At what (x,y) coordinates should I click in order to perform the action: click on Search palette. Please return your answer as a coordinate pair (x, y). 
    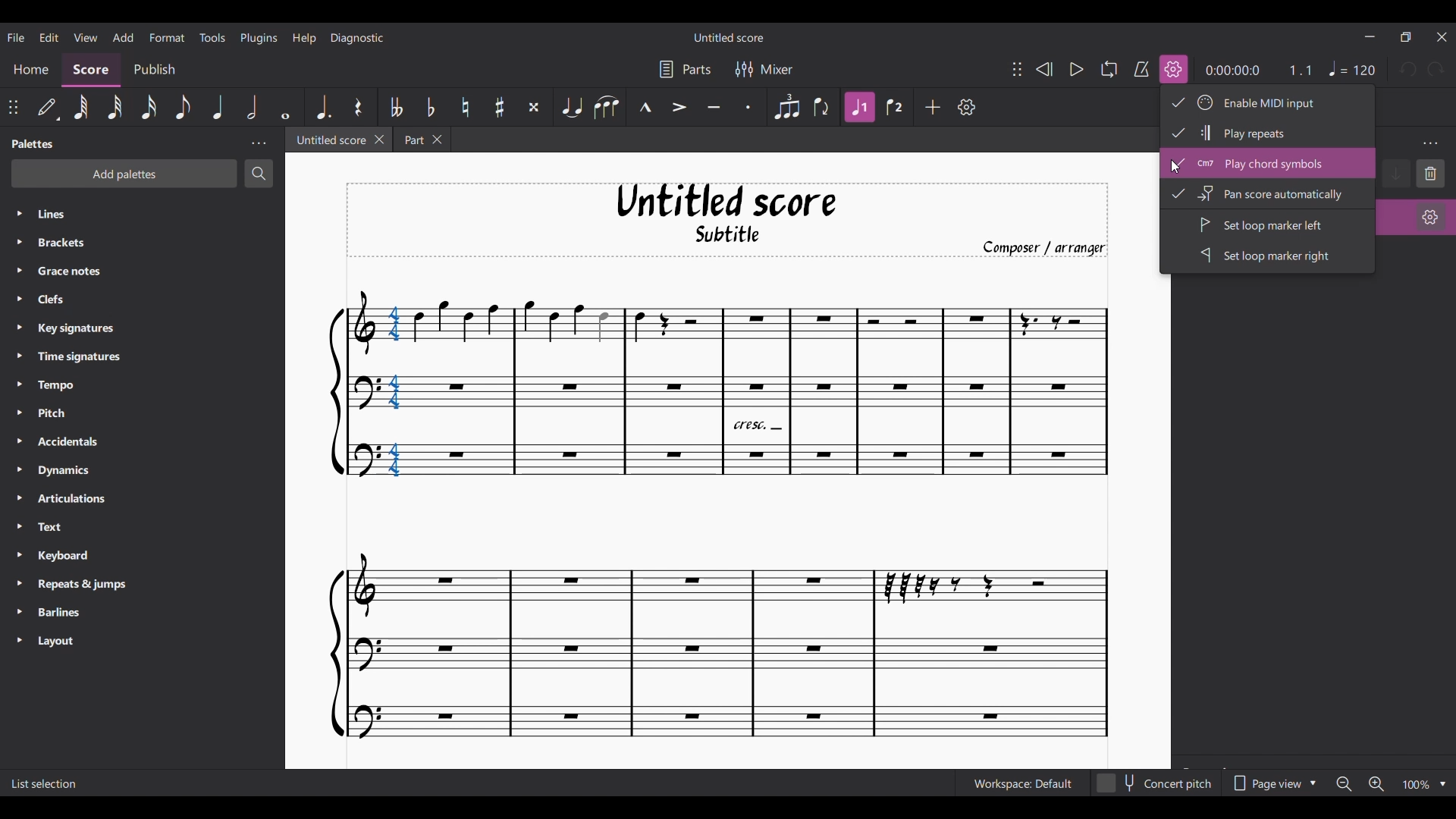
    Looking at the image, I should click on (259, 173).